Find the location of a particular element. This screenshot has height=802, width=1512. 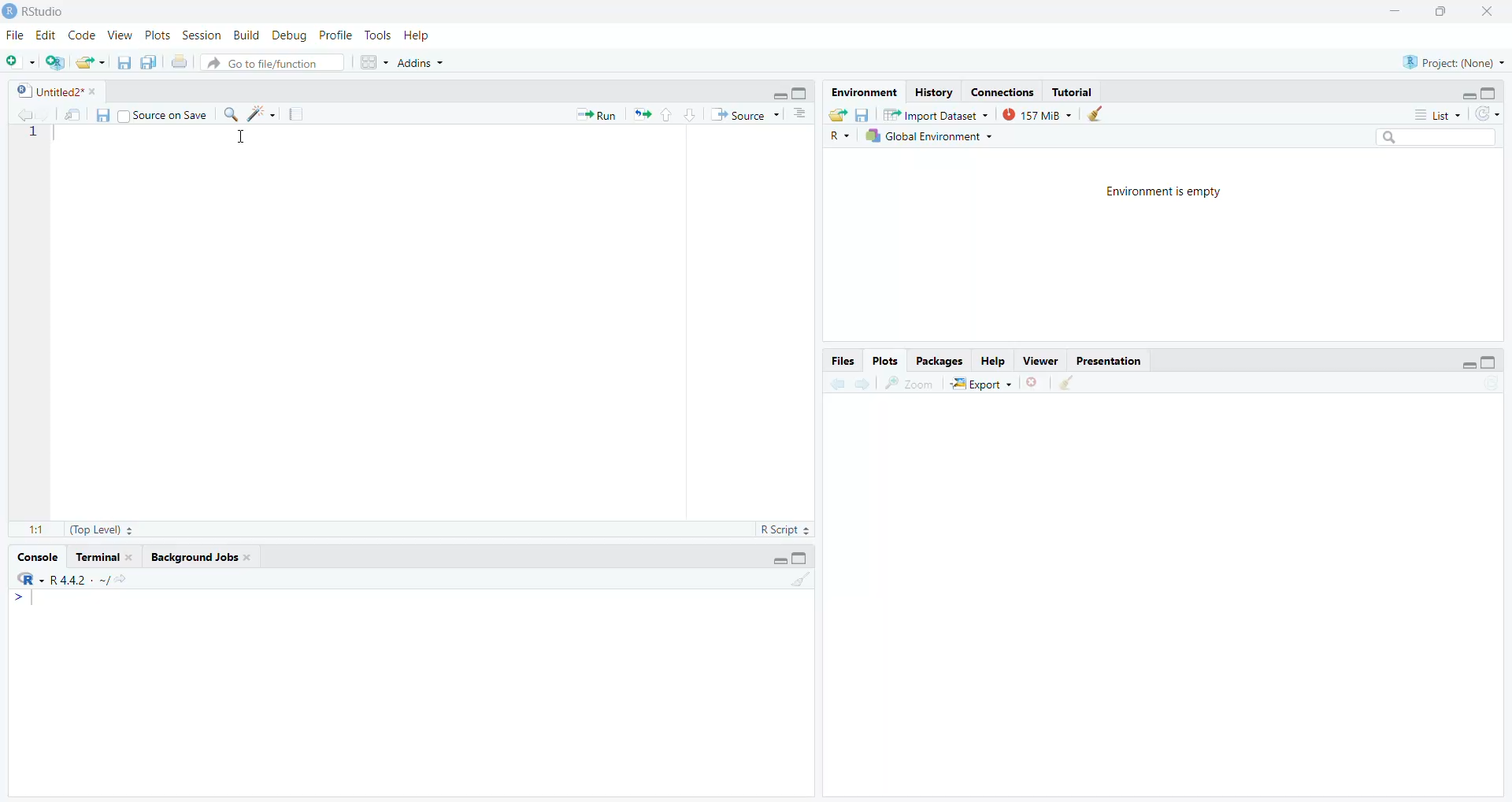

remove the current plot is located at coordinates (1034, 383).